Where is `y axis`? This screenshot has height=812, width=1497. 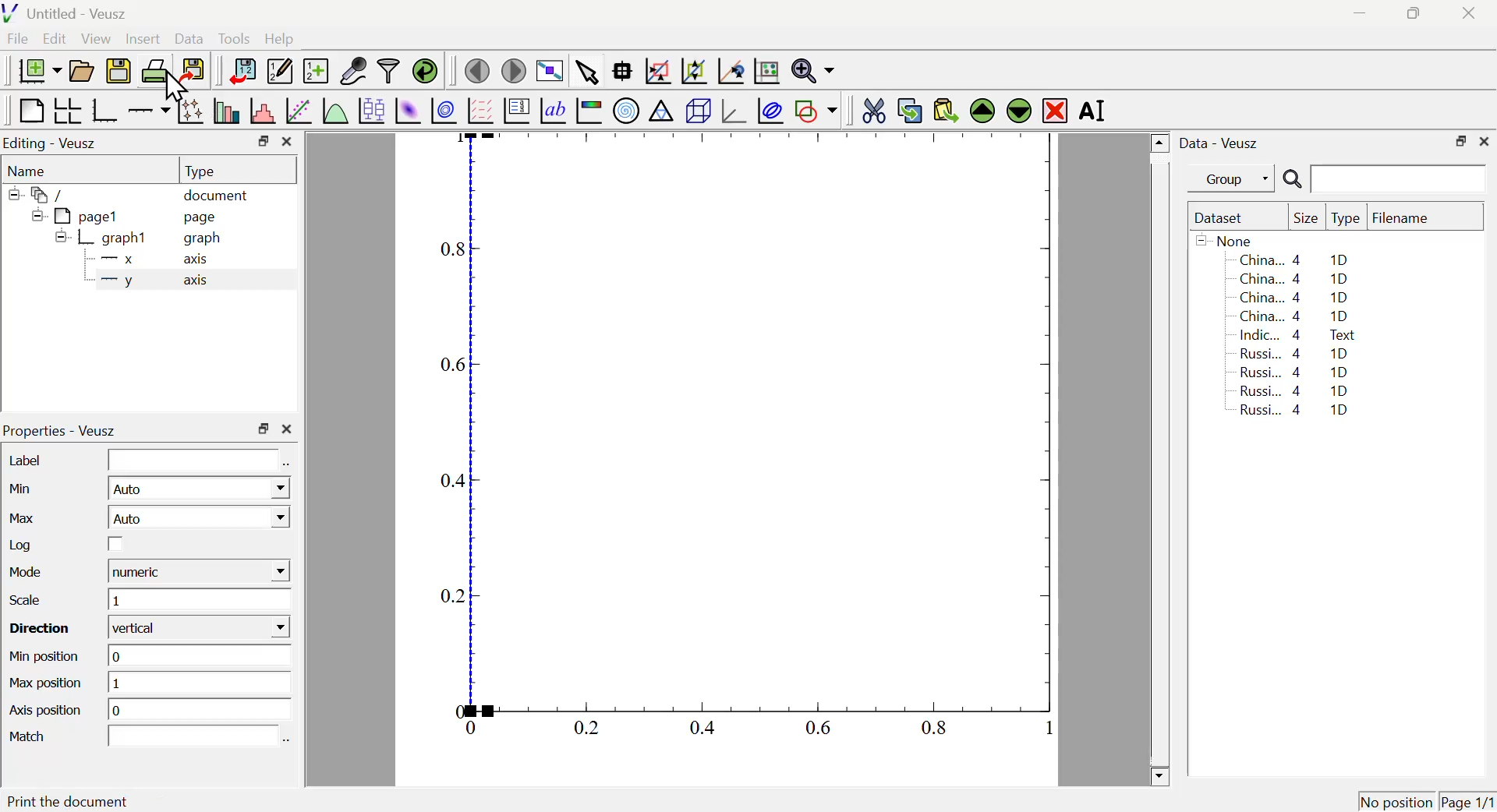
y axis is located at coordinates (147, 280).